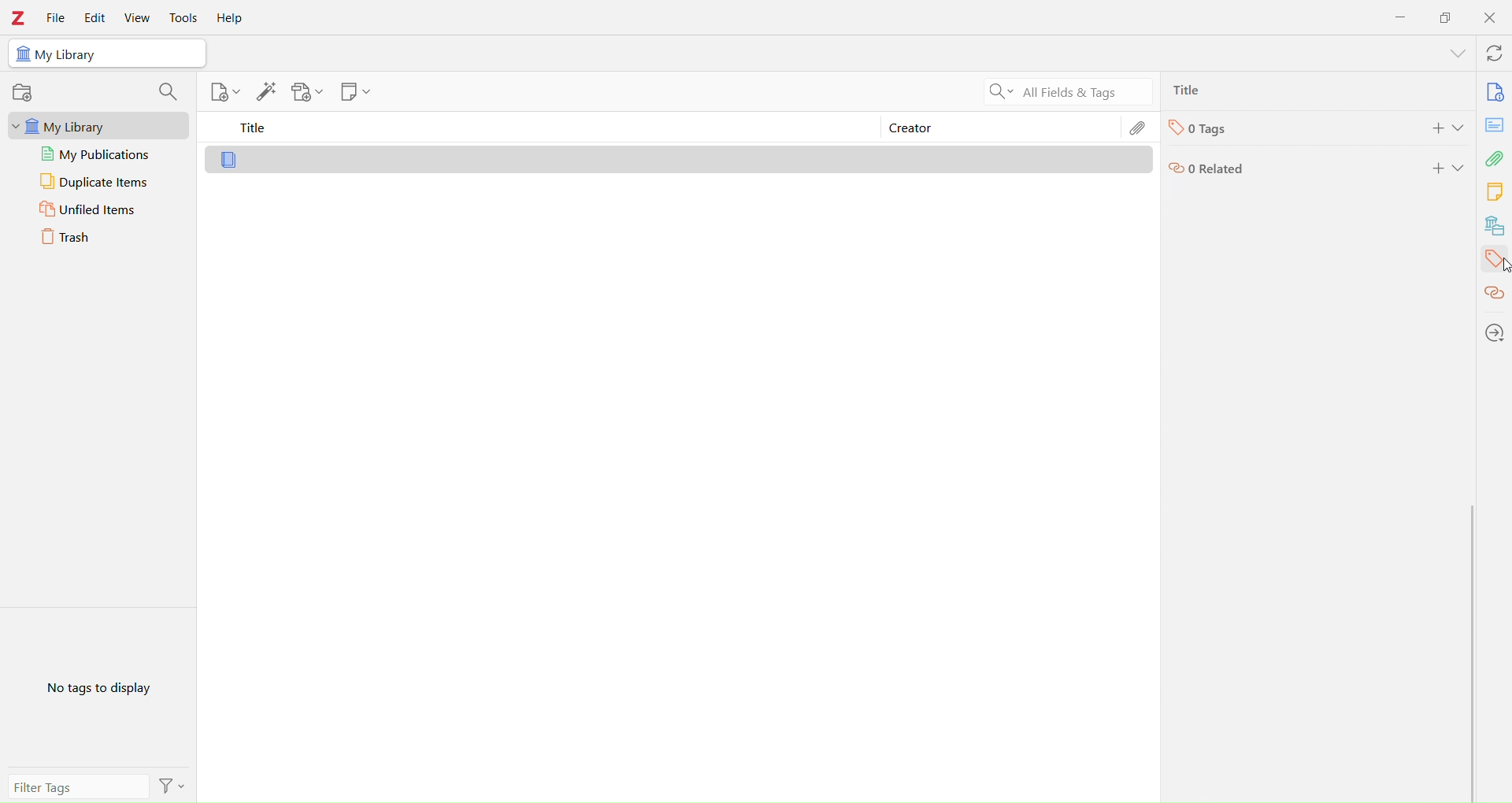 Image resolution: width=1512 pixels, height=803 pixels. I want to click on Duplicate, so click(1449, 17).